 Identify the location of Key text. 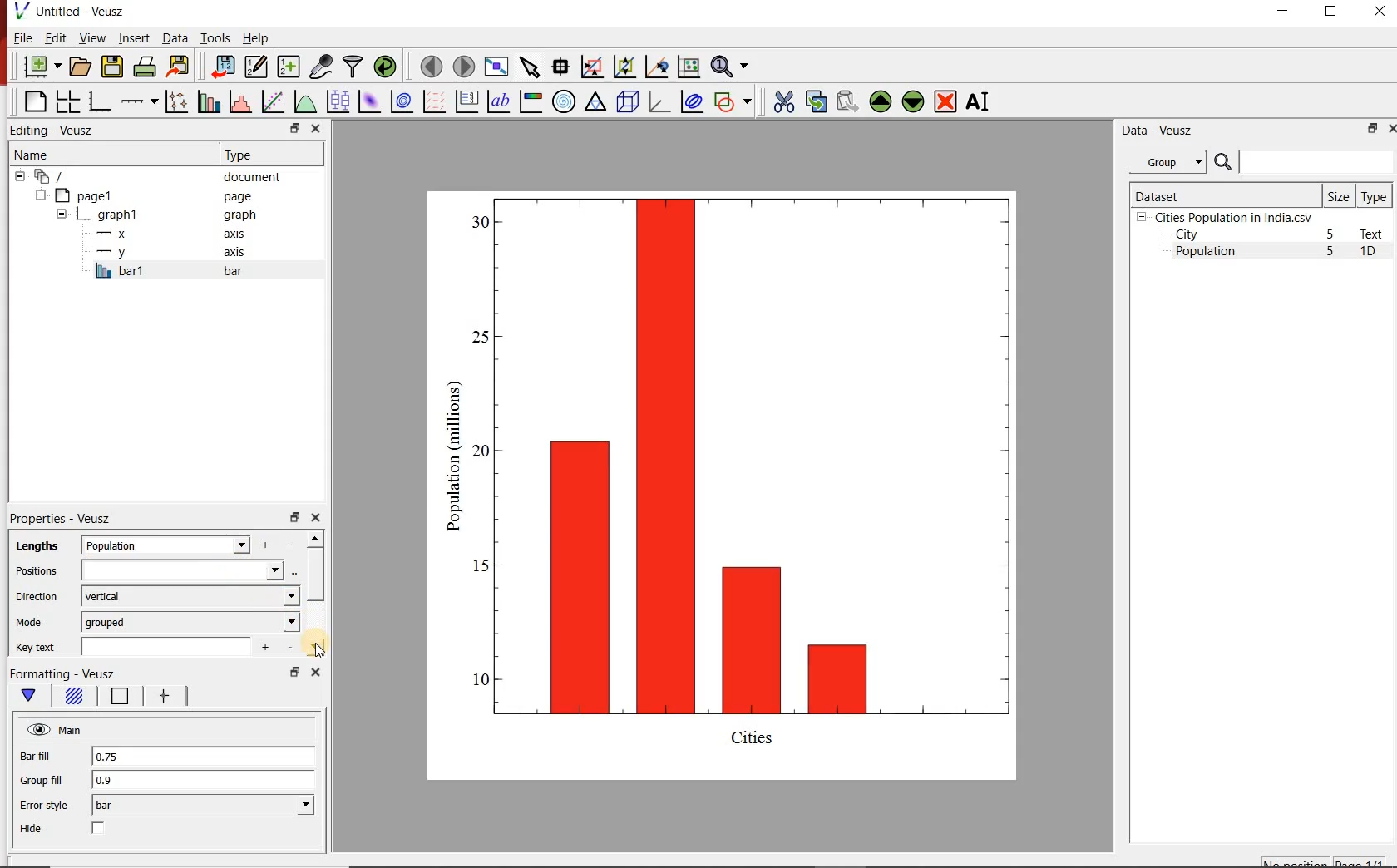
(38, 648).